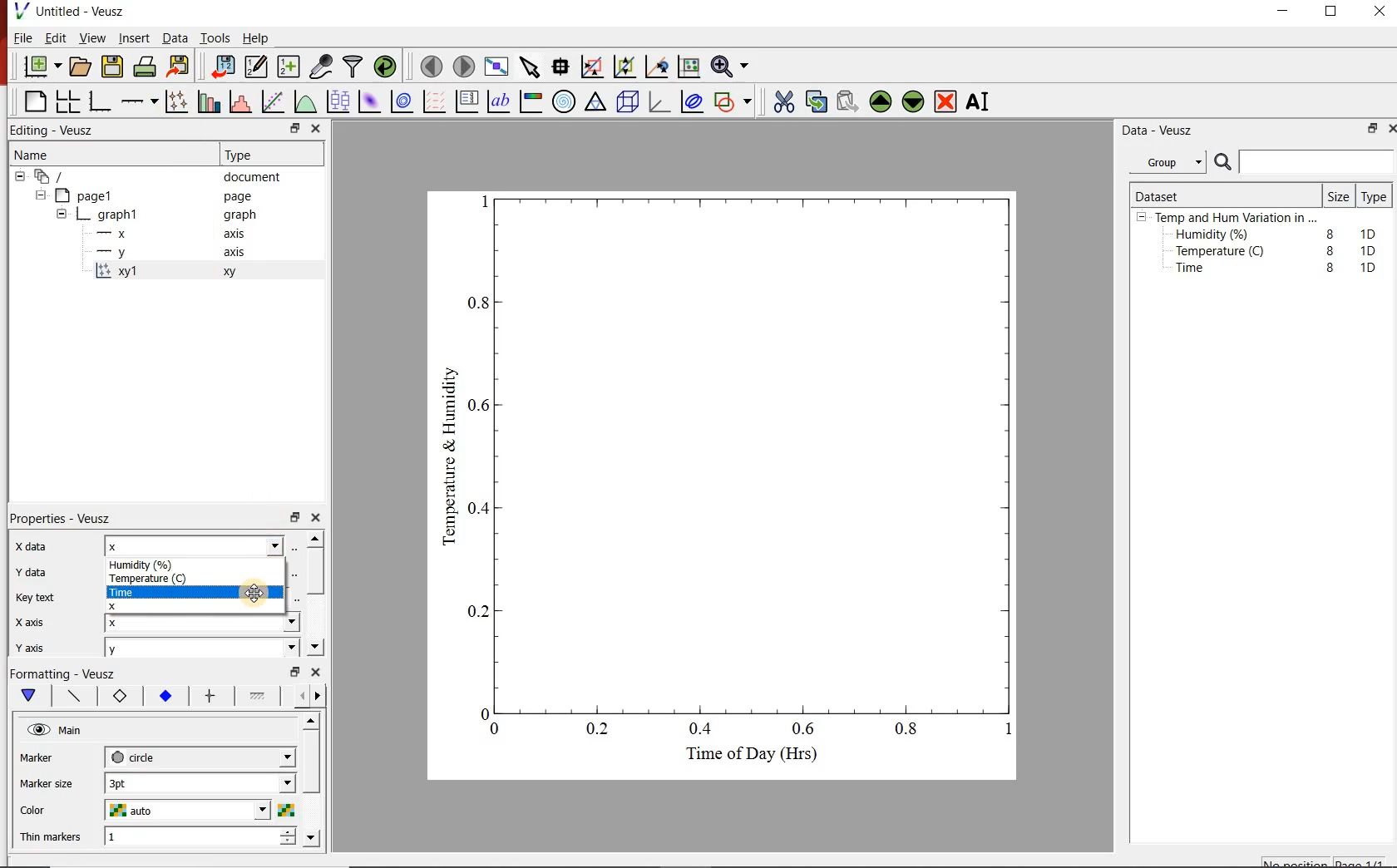  I want to click on axis, so click(239, 235).